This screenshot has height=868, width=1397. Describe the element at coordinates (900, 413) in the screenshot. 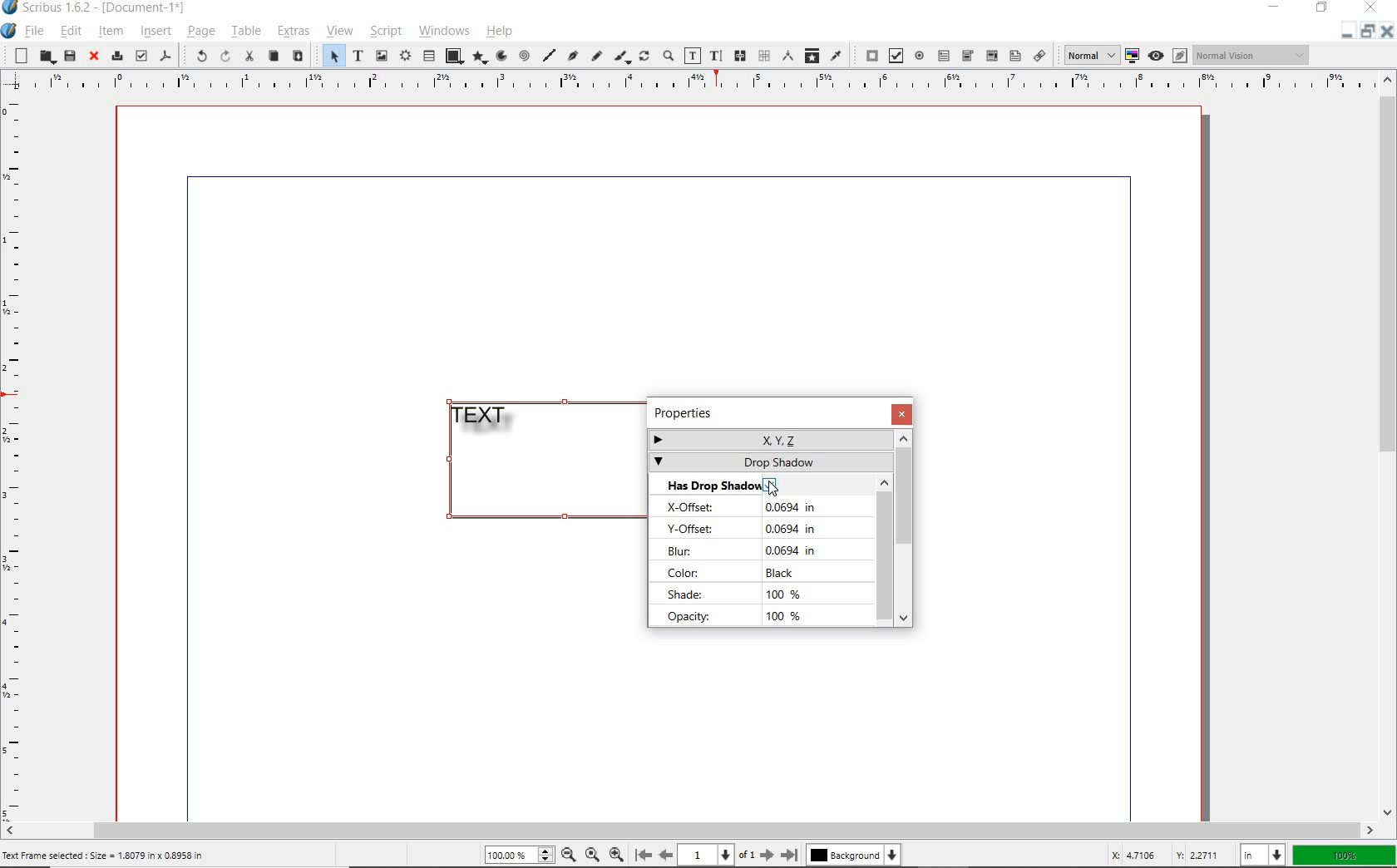

I see `close` at that location.